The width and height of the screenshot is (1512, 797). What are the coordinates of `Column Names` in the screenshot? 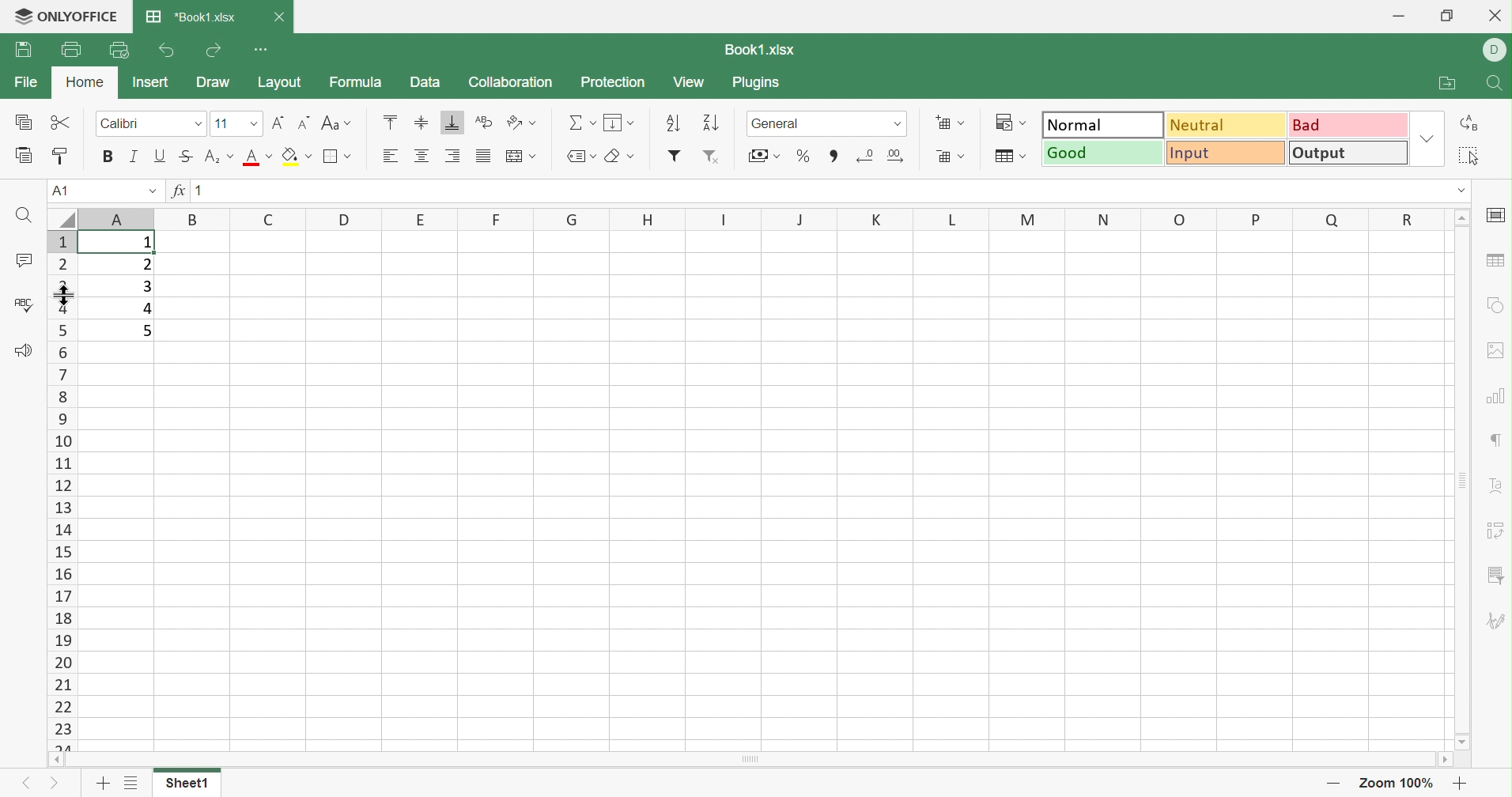 It's located at (751, 218).